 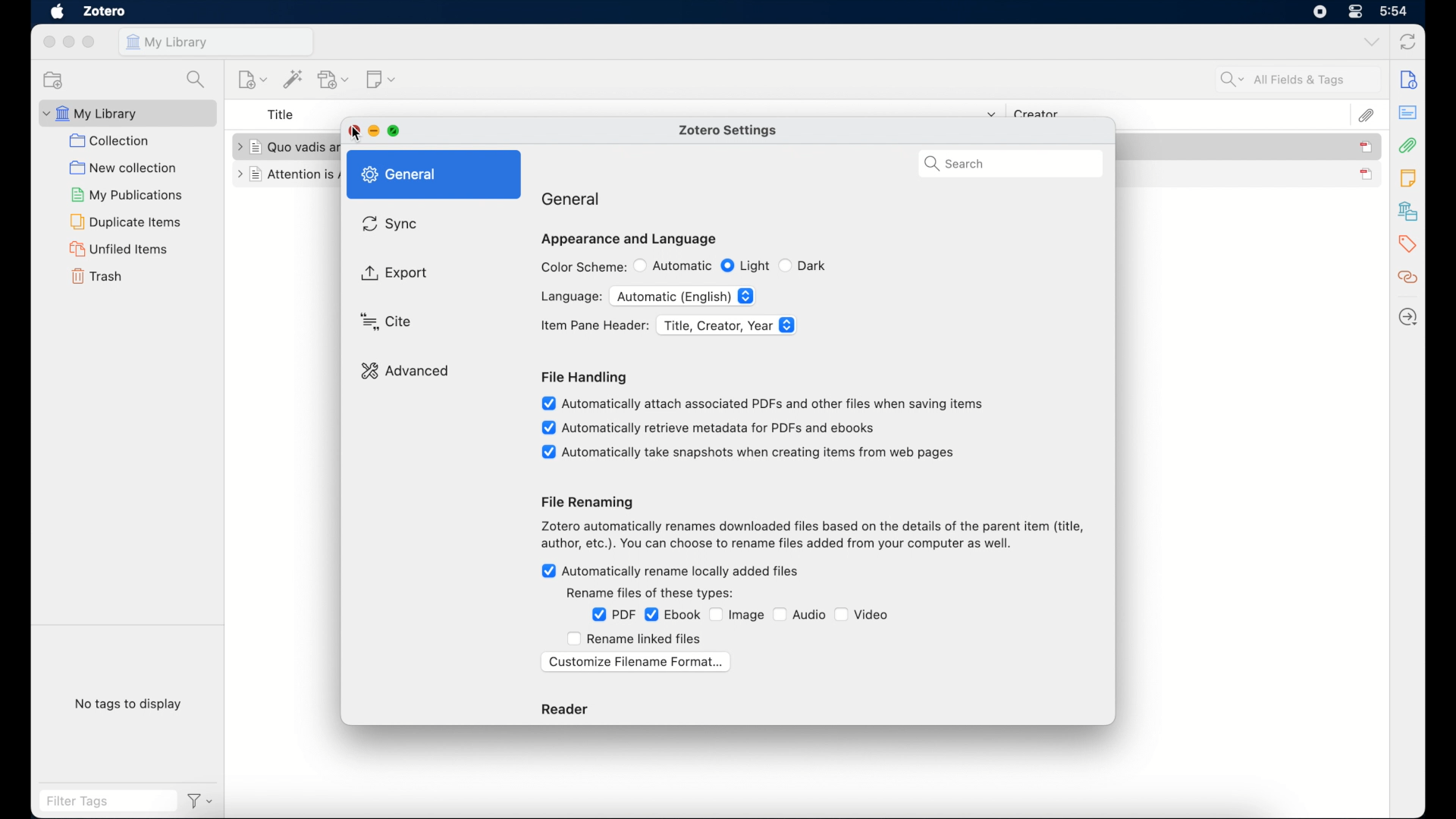 What do you see at coordinates (862, 613) in the screenshot?
I see `video checkbox` at bounding box center [862, 613].